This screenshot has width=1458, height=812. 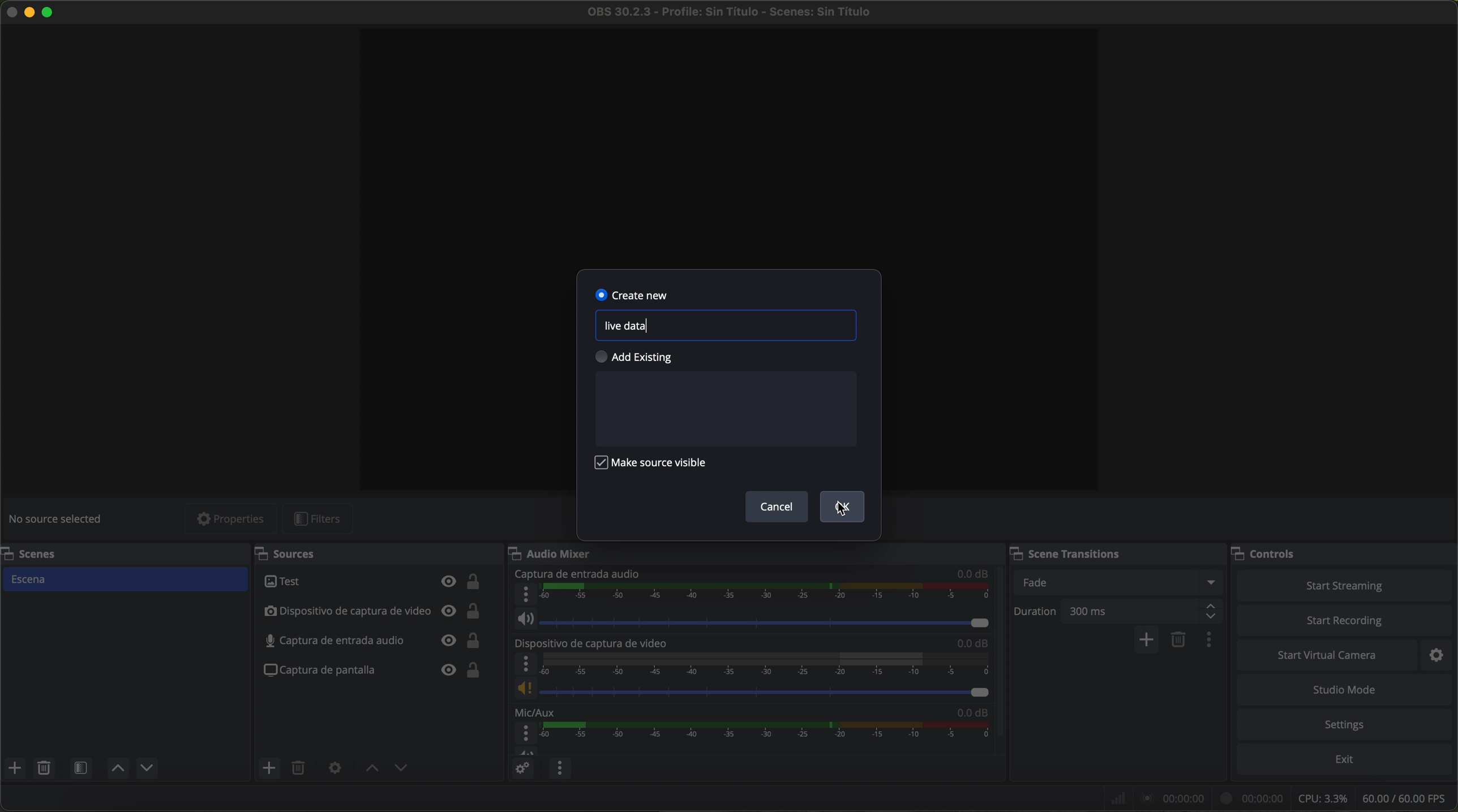 I want to click on 300 ms, so click(x=1146, y=611).